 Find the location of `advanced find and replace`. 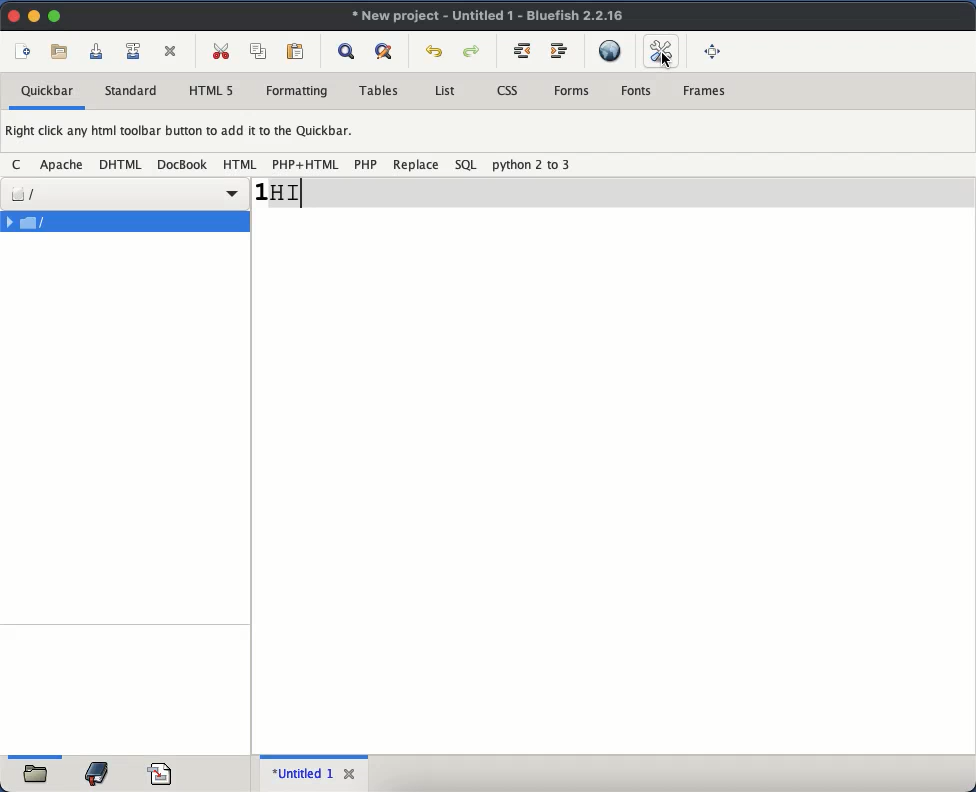

advanced find and replace is located at coordinates (385, 50).